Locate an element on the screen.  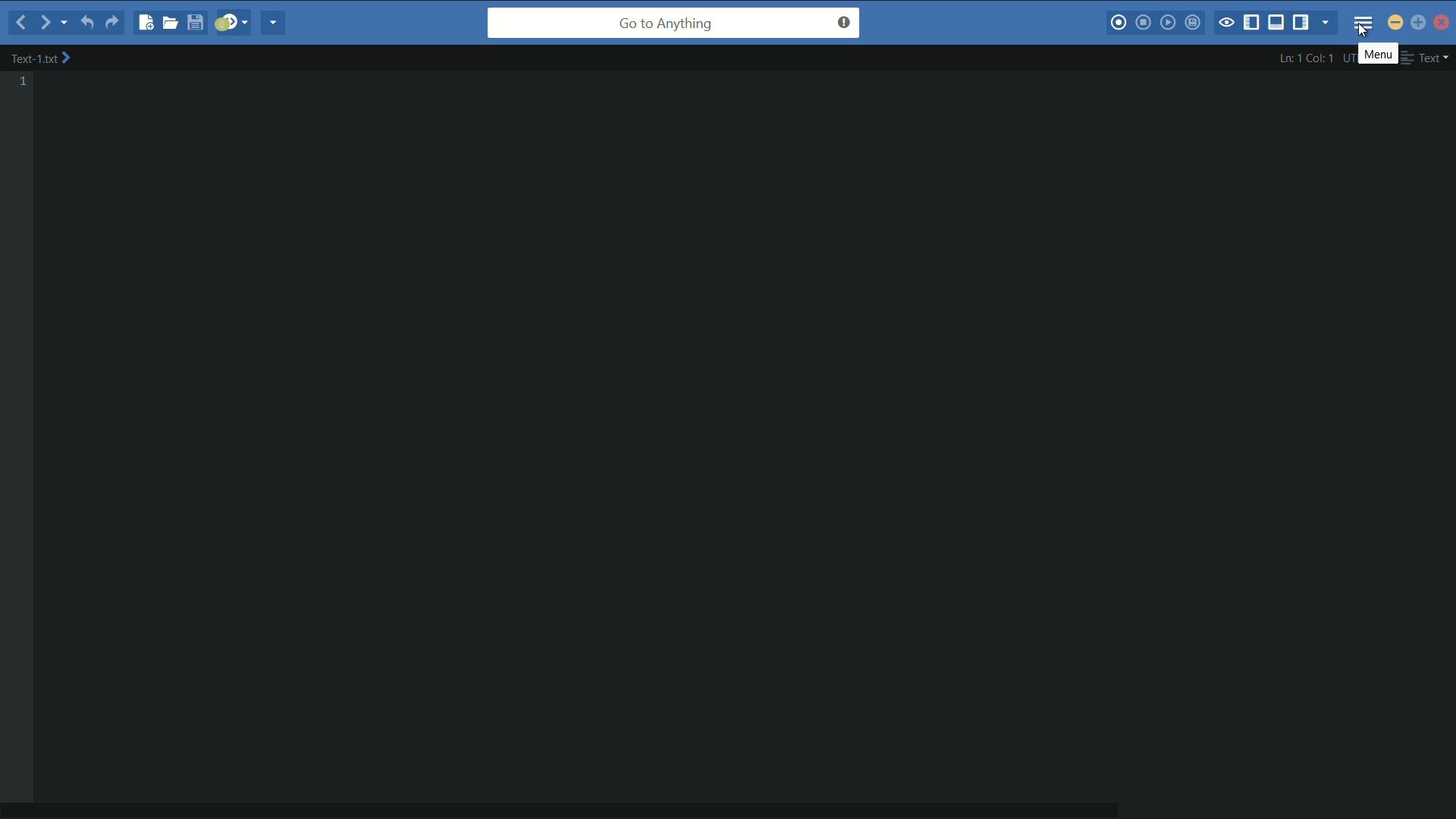
menu is located at coordinates (1364, 24).